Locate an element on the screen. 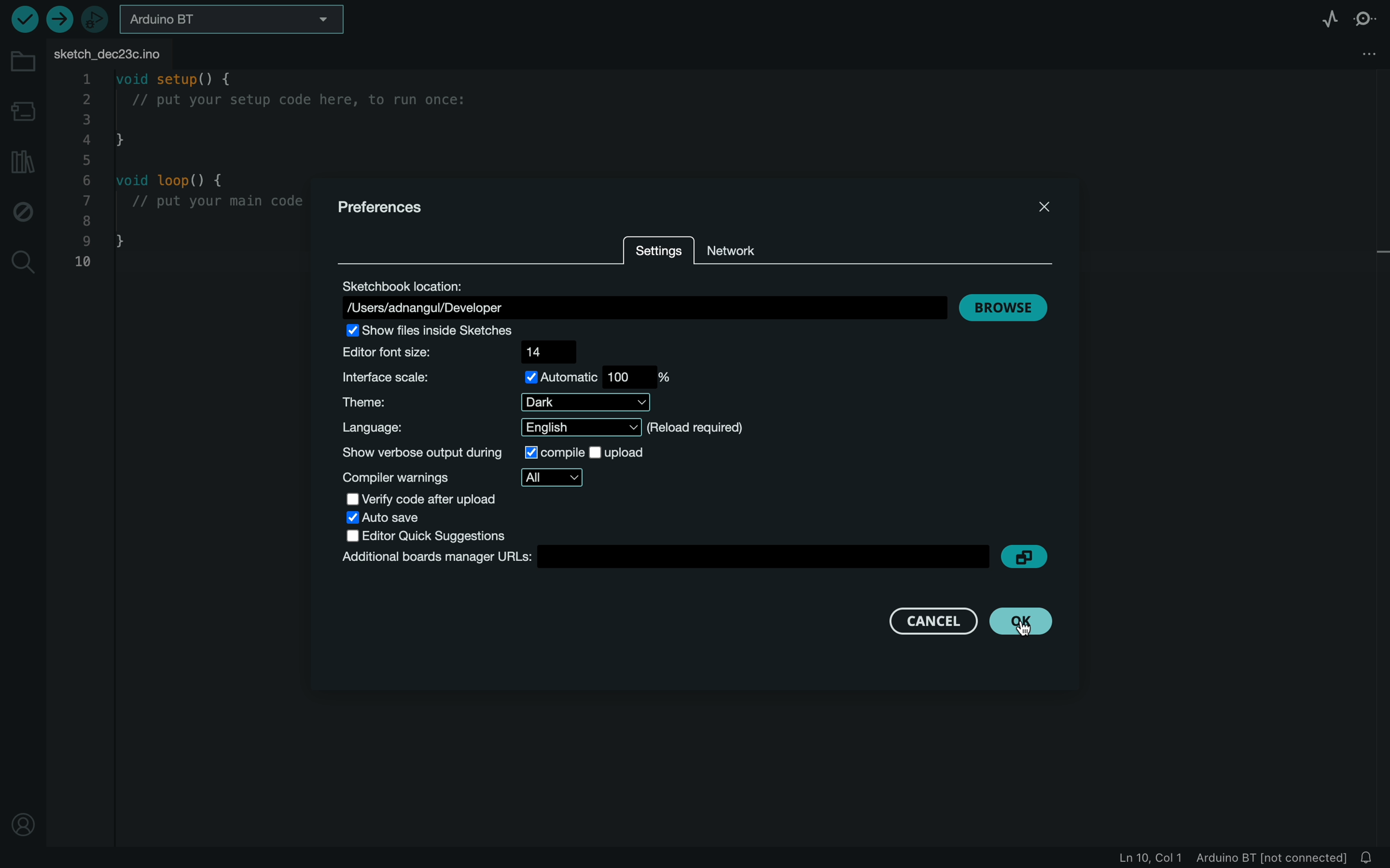 The image size is (1390, 868). board manager is located at coordinates (21, 109).